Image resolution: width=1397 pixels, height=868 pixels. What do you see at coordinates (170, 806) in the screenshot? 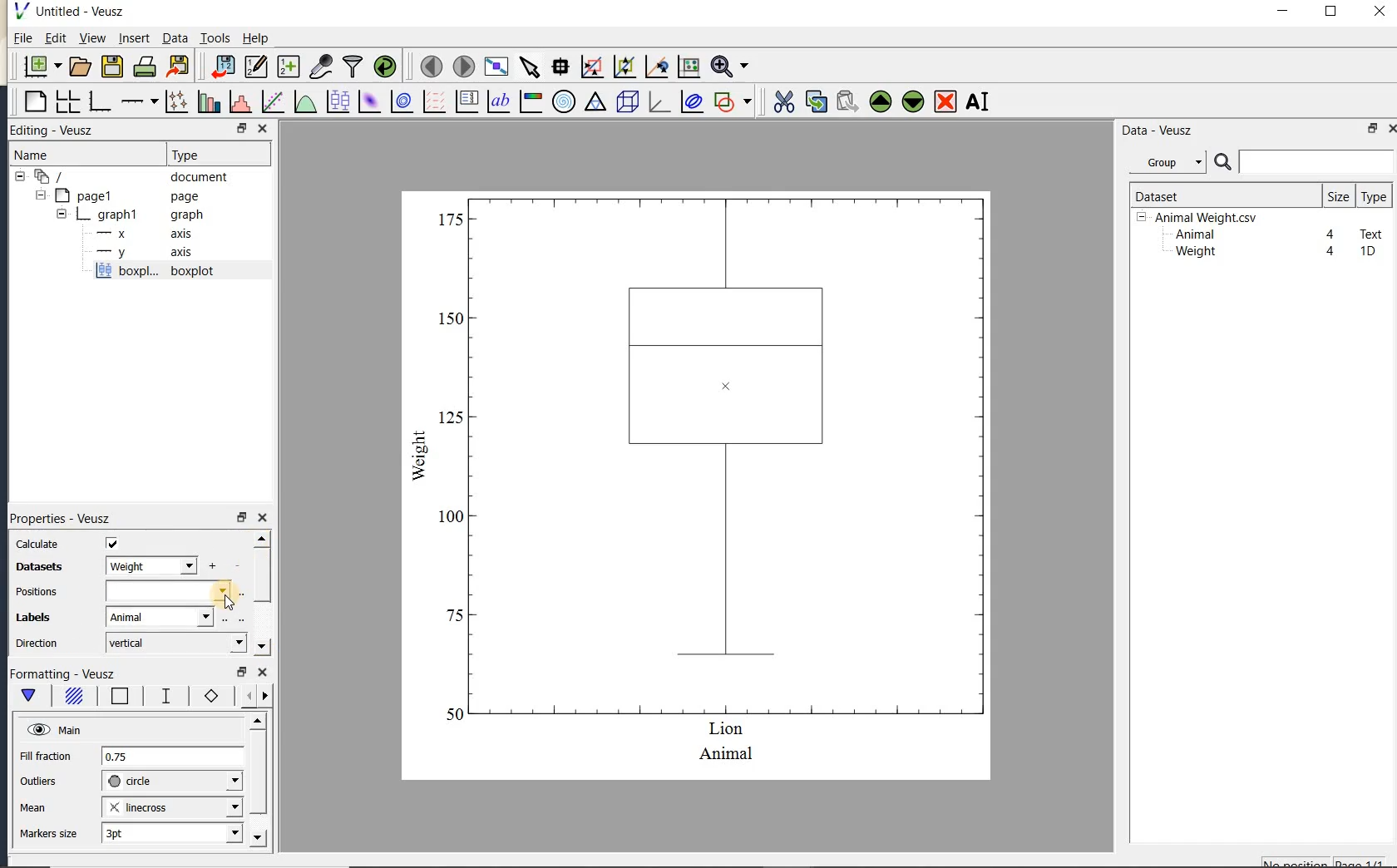
I see `linecross` at bounding box center [170, 806].